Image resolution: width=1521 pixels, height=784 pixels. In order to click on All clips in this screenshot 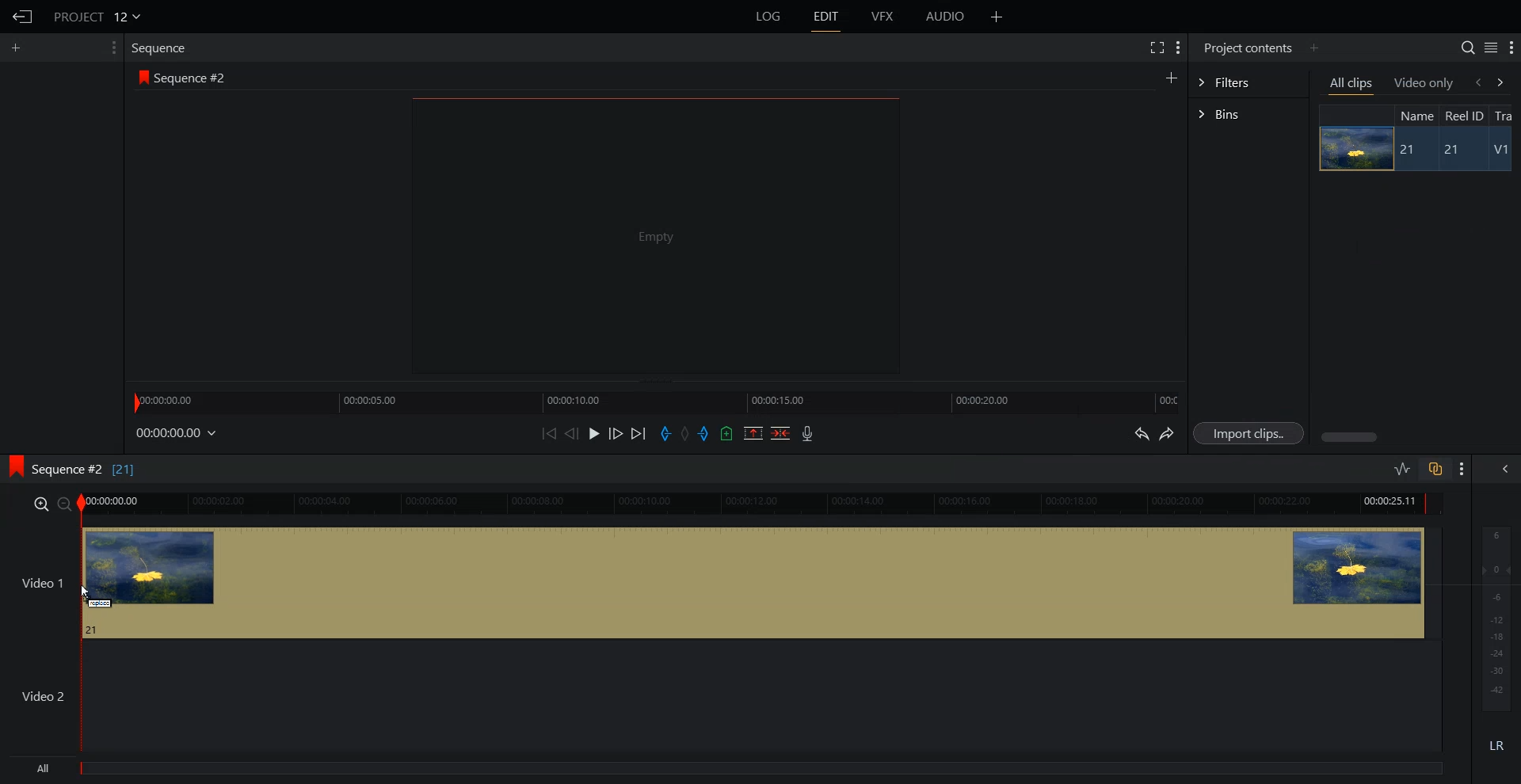, I will do `click(1352, 84)`.